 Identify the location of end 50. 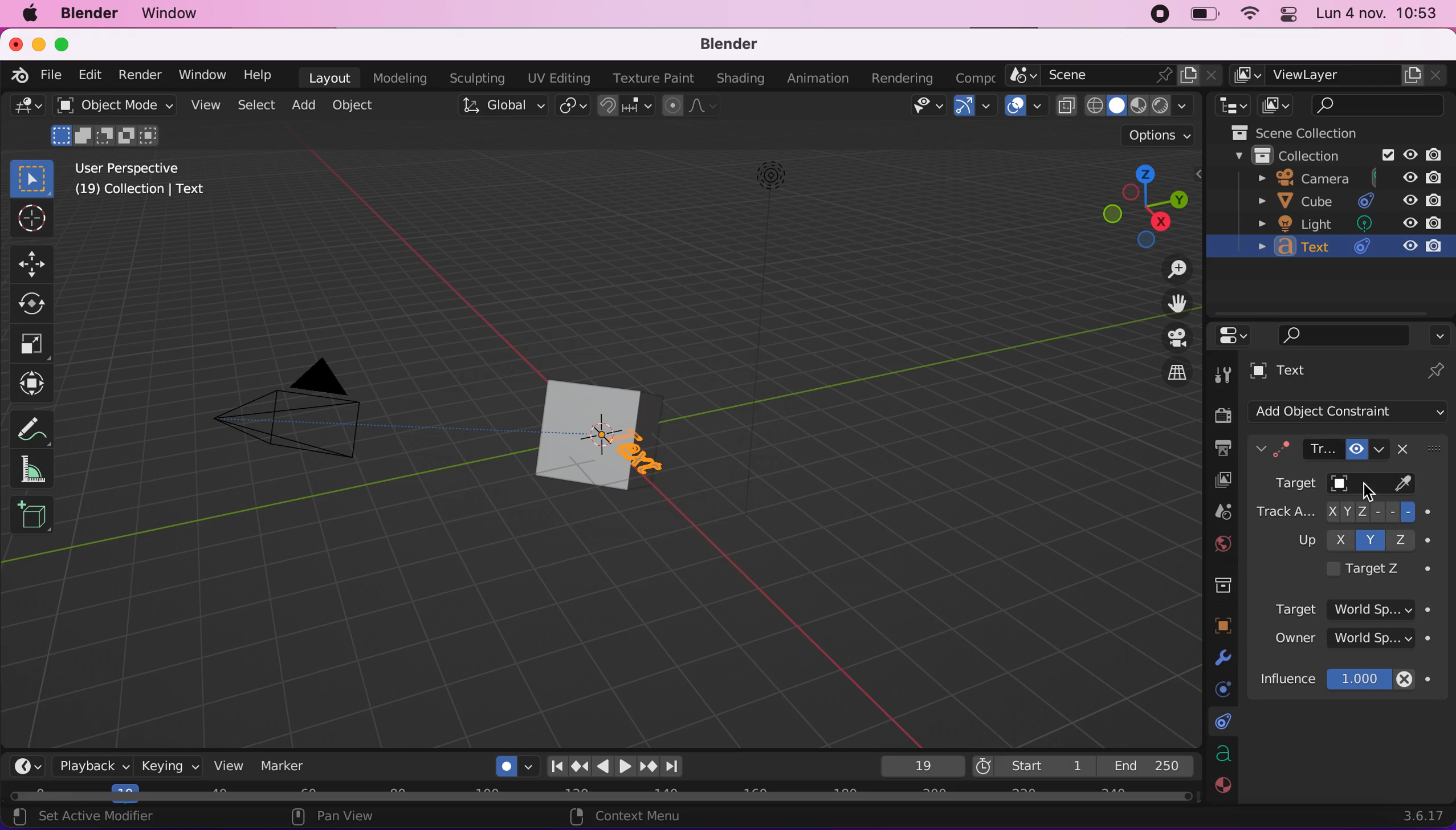
(1147, 765).